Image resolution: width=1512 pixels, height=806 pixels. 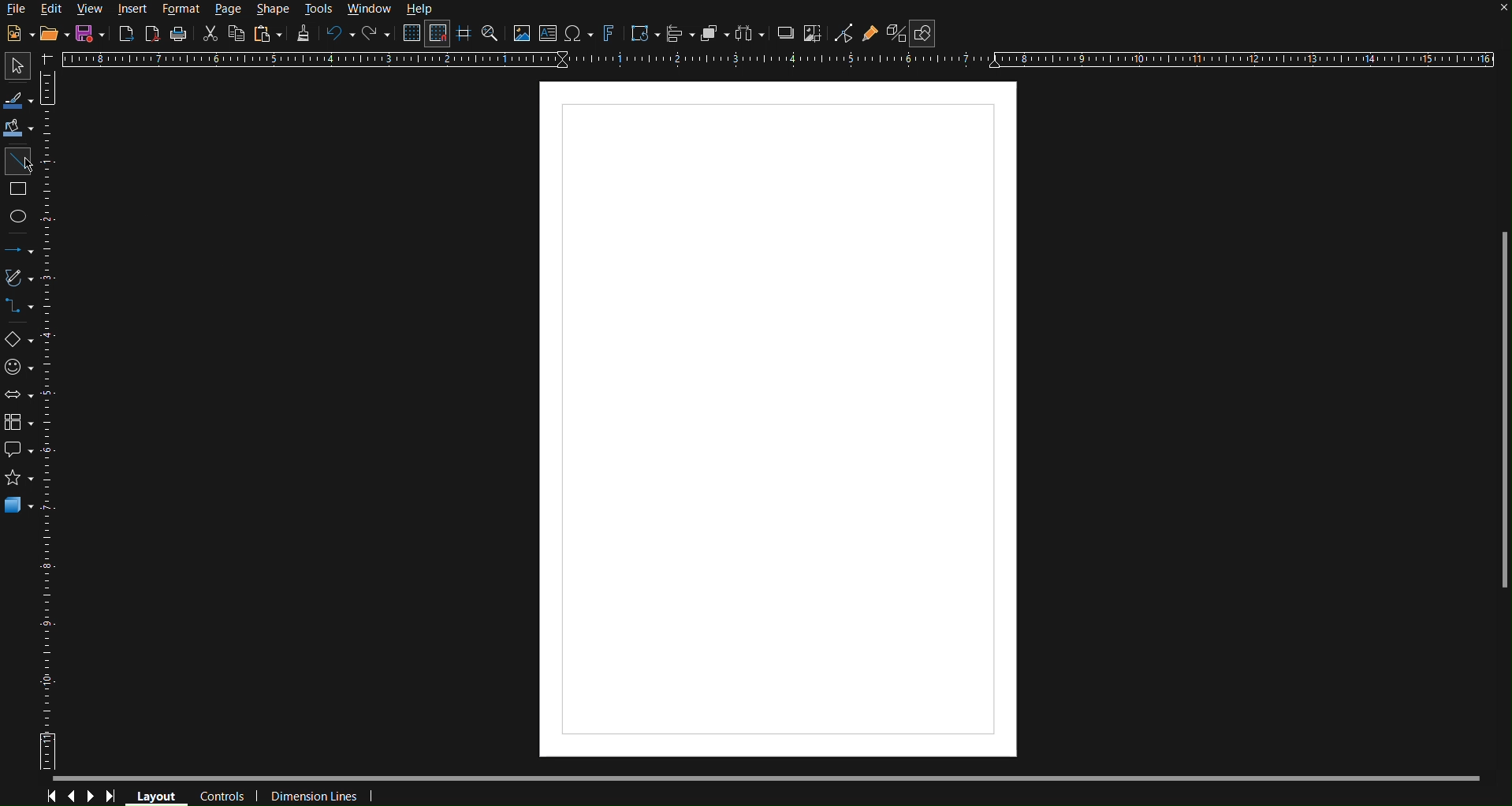 I want to click on close, so click(x=1497, y=11).